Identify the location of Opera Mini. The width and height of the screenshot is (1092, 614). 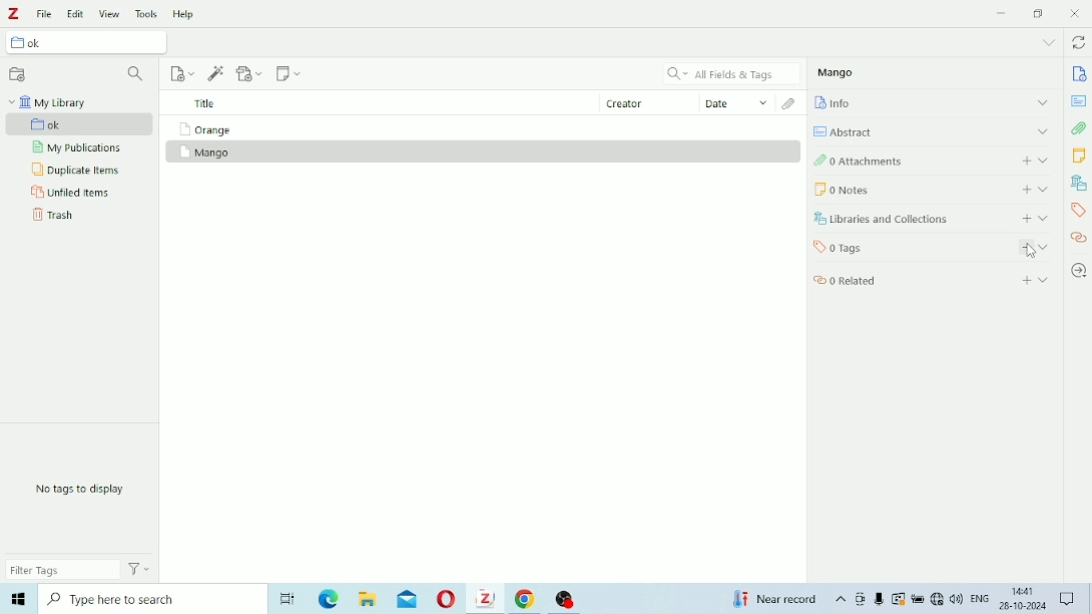
(448, 598).